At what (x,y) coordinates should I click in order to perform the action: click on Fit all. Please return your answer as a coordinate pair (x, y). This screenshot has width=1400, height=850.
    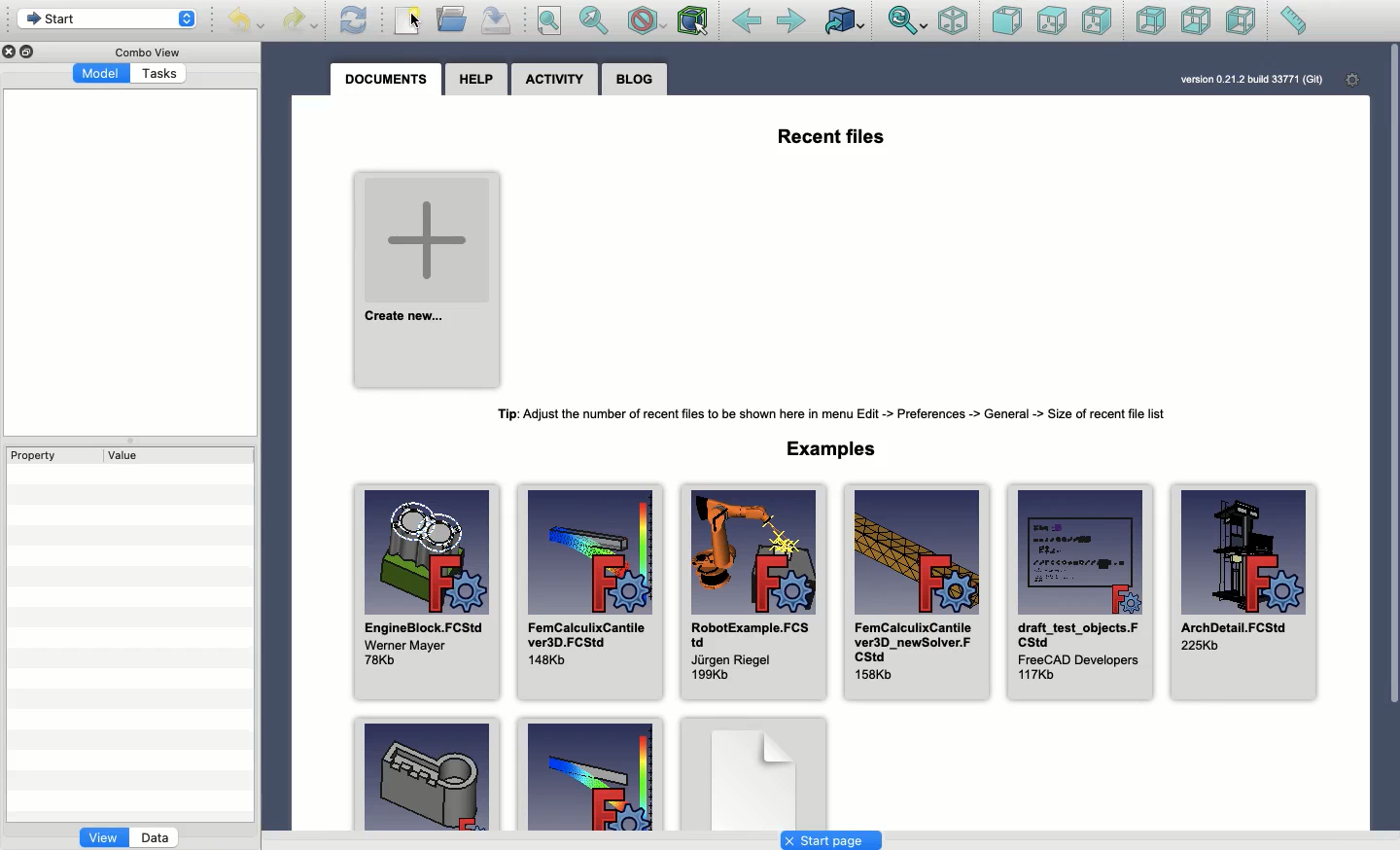
    Looking at the image, I should click on (551, 21).